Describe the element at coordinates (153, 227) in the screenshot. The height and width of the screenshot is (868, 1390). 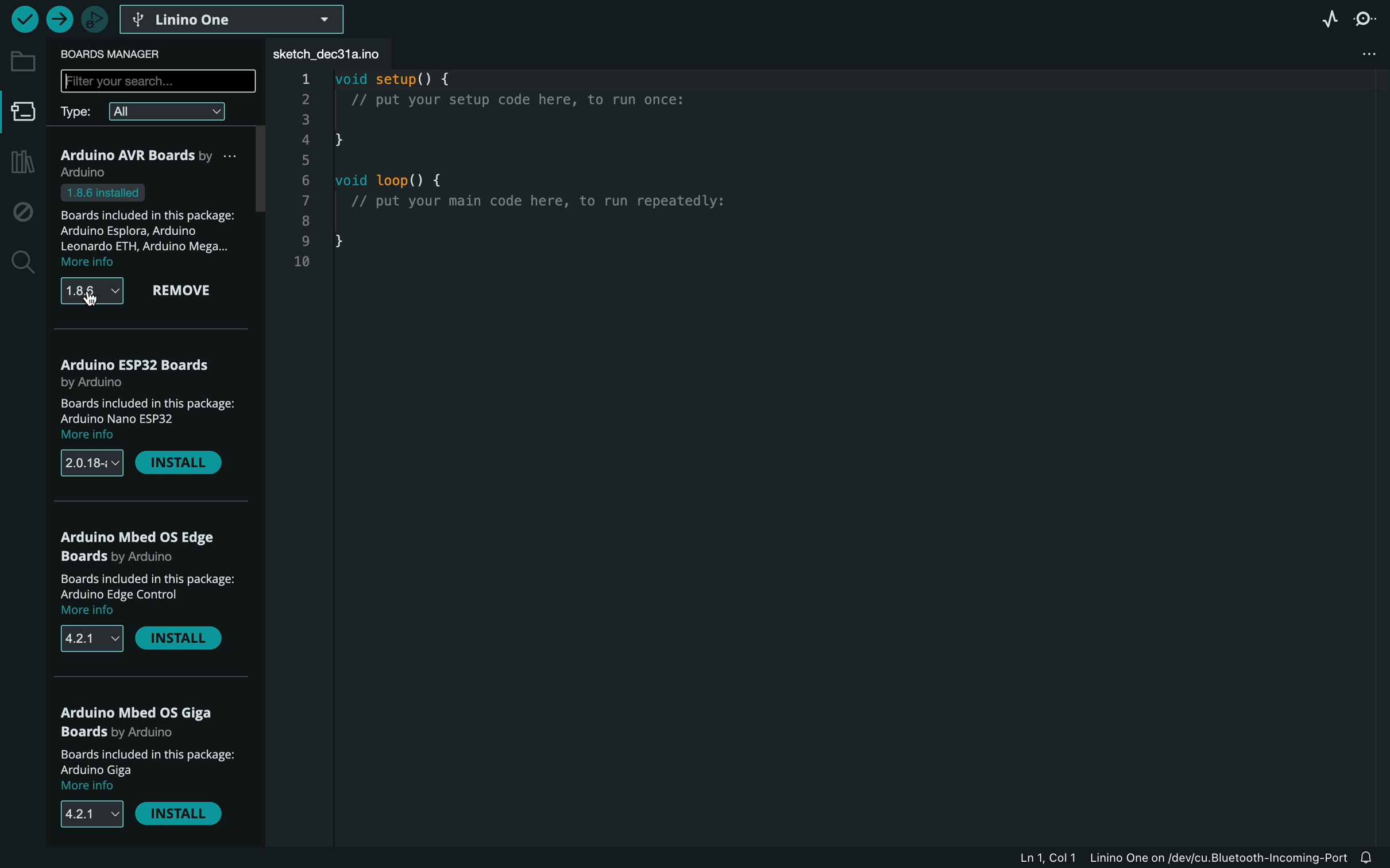
I see `description` at that location.